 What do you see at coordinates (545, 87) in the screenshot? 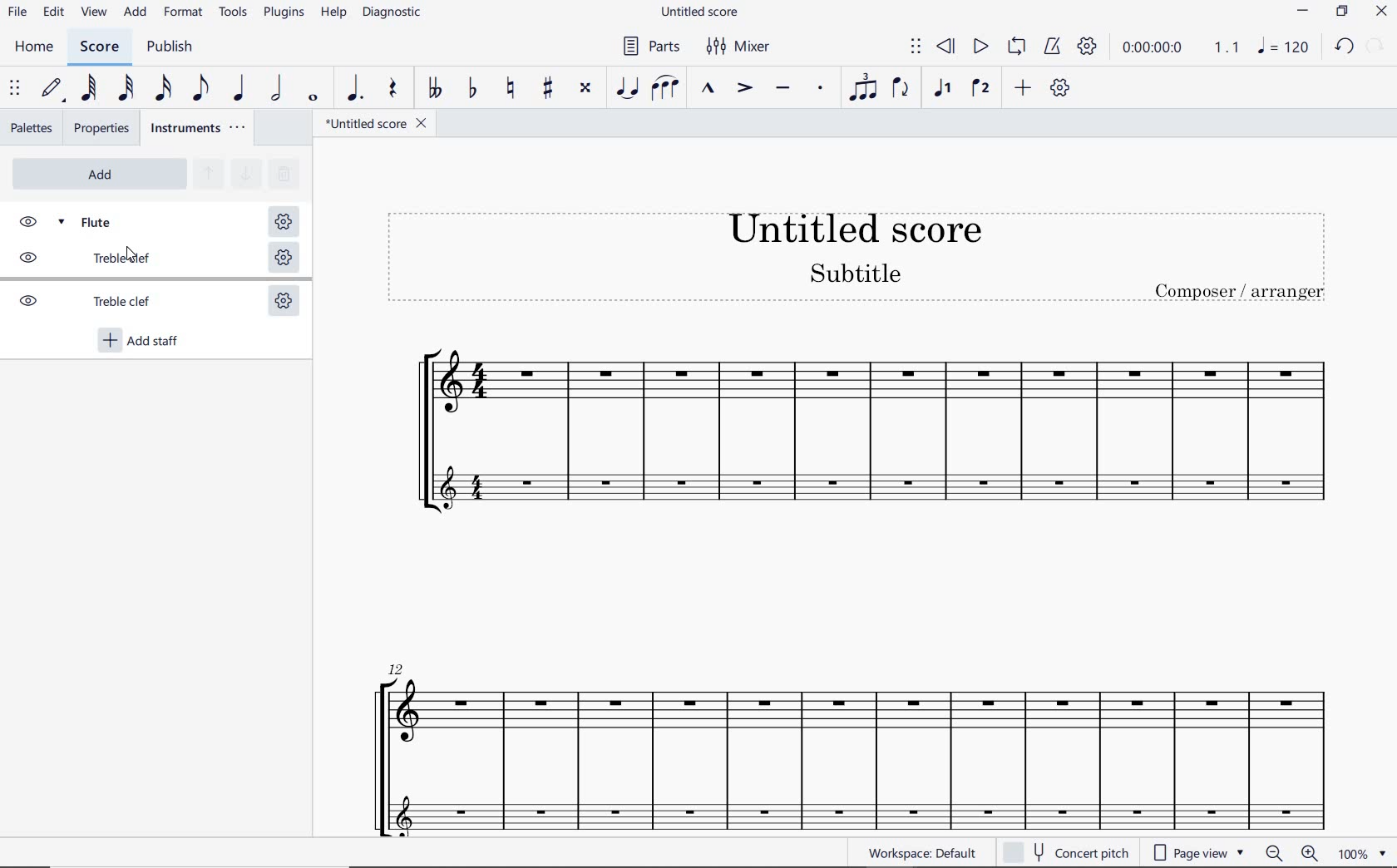
I see `TOGGLE SHARP` at bounding box center [545, 87].